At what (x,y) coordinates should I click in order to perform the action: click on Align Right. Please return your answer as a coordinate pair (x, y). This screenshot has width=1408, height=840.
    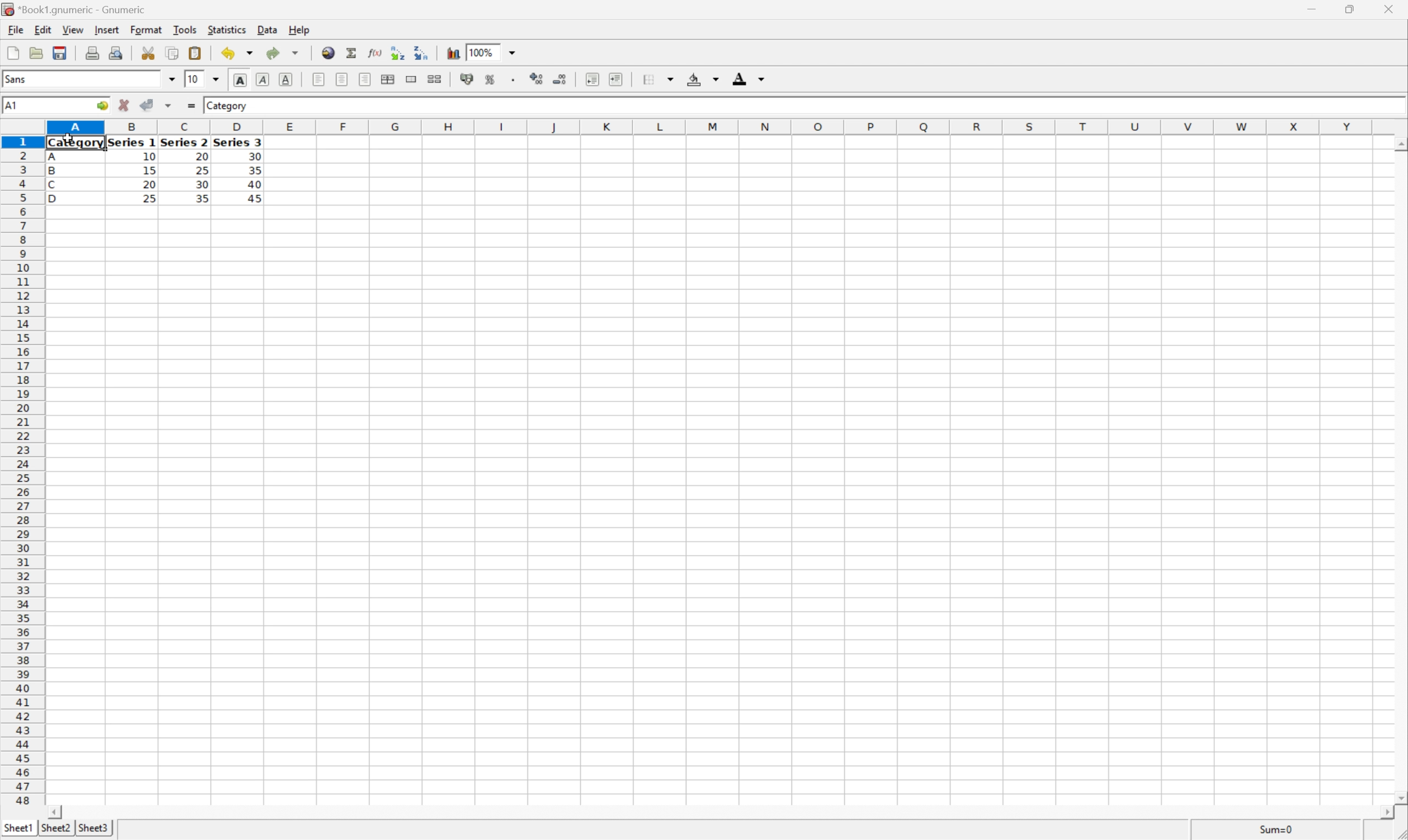
    Looking at the image, I should click on (365, 80).